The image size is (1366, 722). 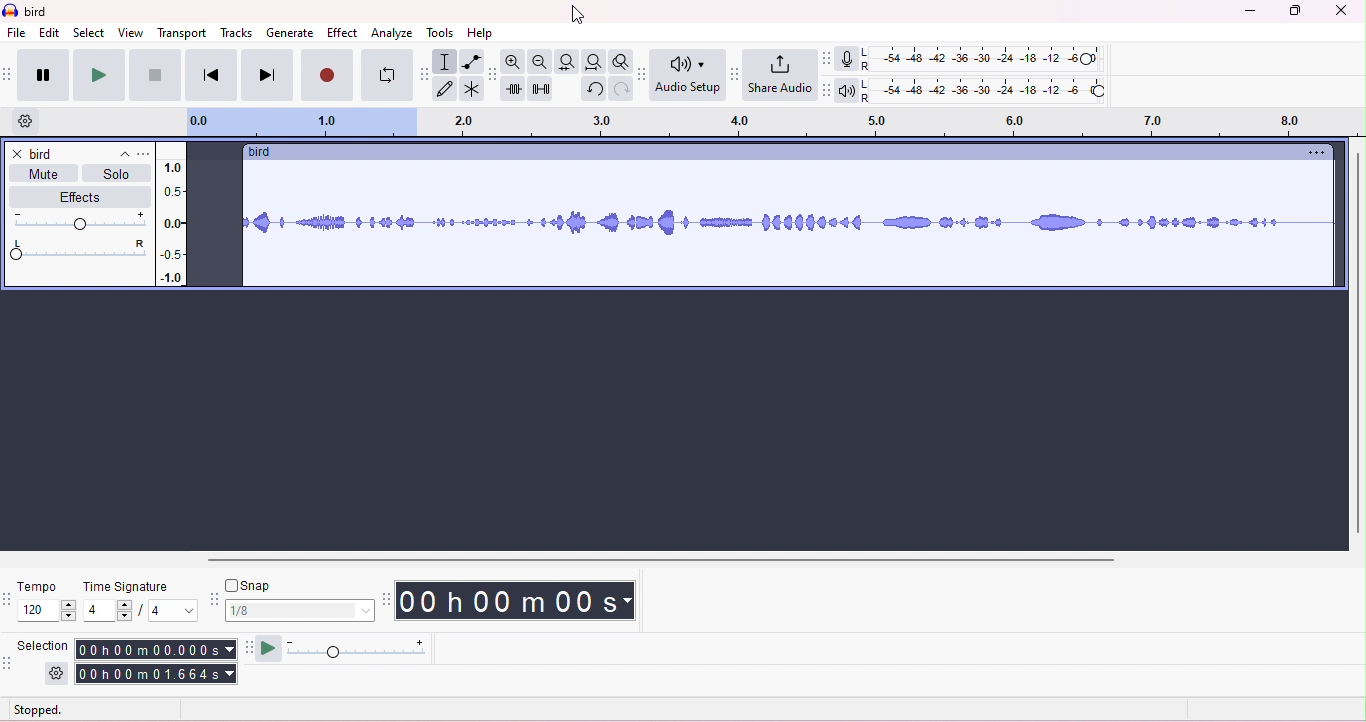 What do you see at coordinates (621, 62) in the screenshot?
I see `toggle zoom` at bounding box center [621, 62].